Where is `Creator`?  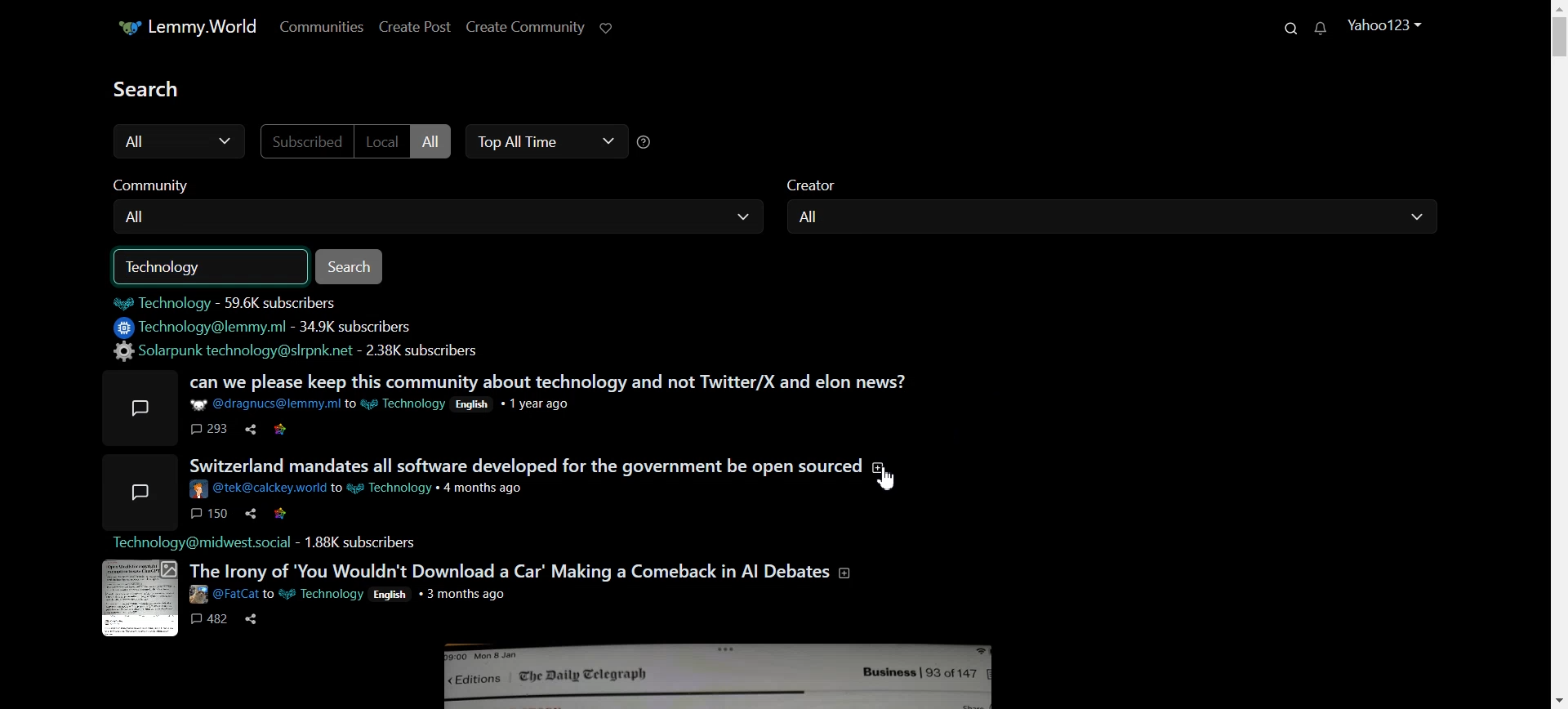 Creator is located at coordinates (825, 182).